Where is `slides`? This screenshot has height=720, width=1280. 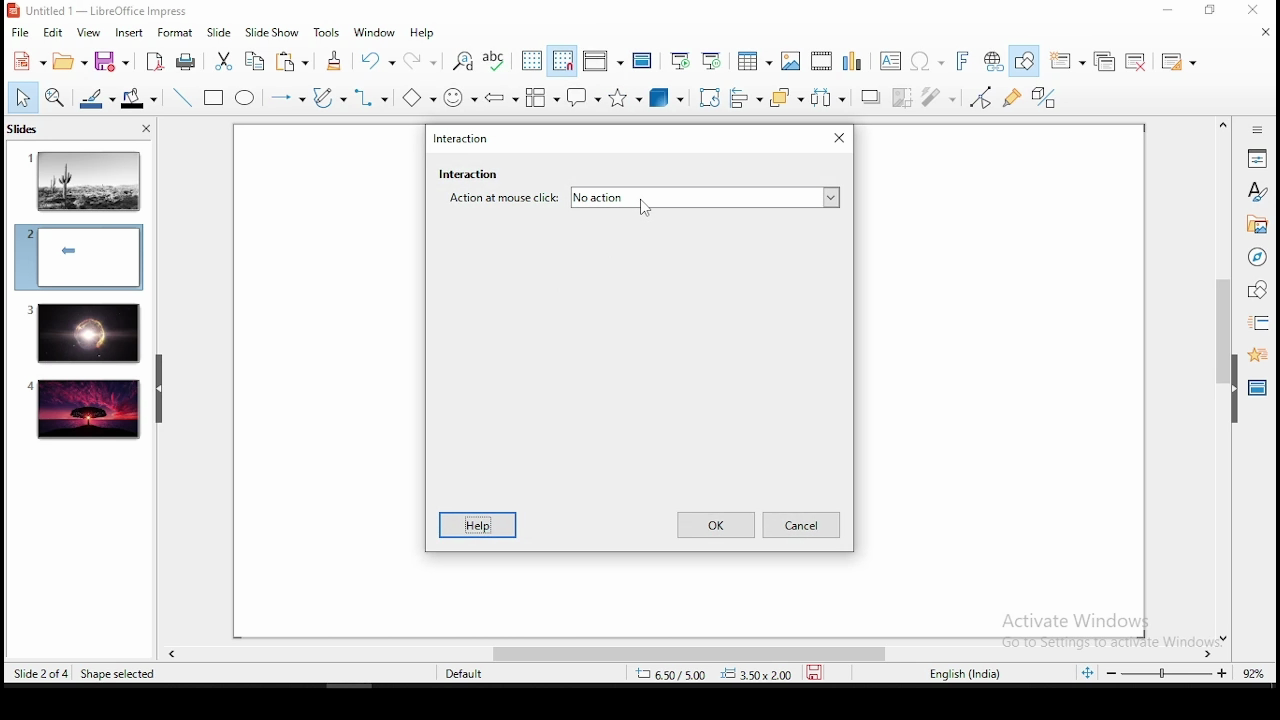 slides is located at coordinates (25, 131).